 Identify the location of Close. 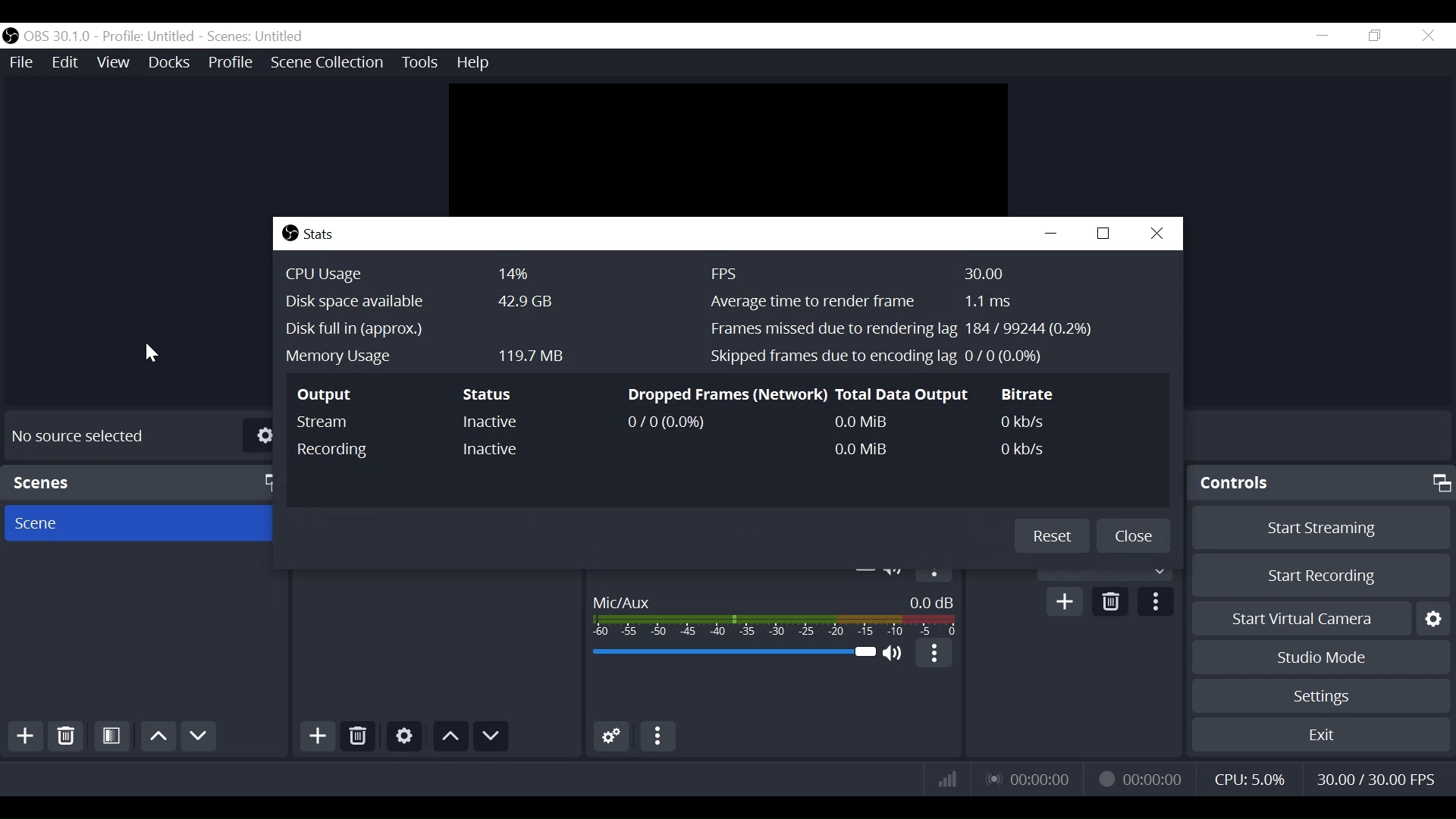
(1157, 233).